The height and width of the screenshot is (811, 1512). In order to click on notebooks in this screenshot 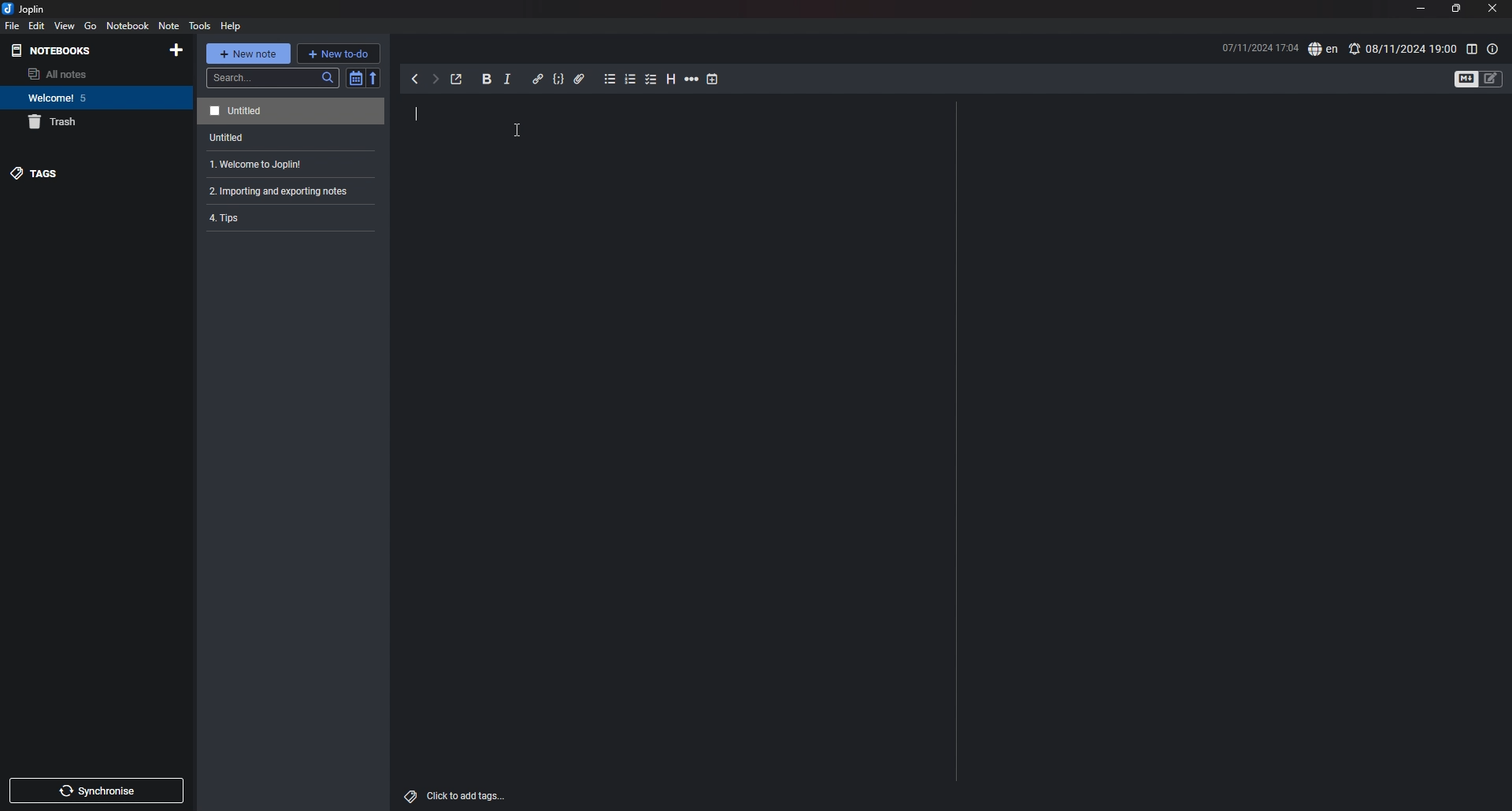, I will do `click(66, 50)`.